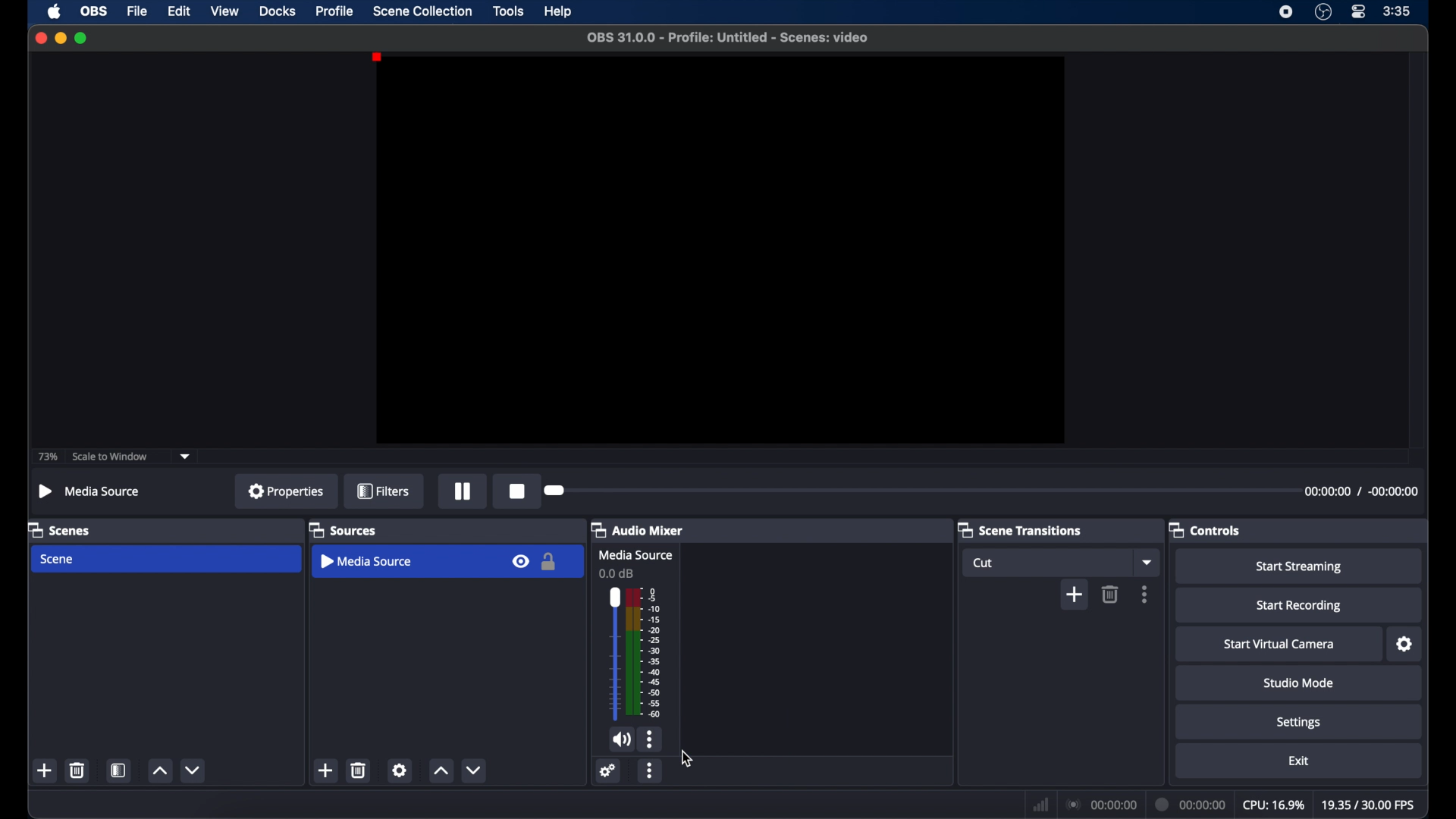  Describe the element at coordinates (520, 561) in the screenshot. I see `visibility icon` at that location.